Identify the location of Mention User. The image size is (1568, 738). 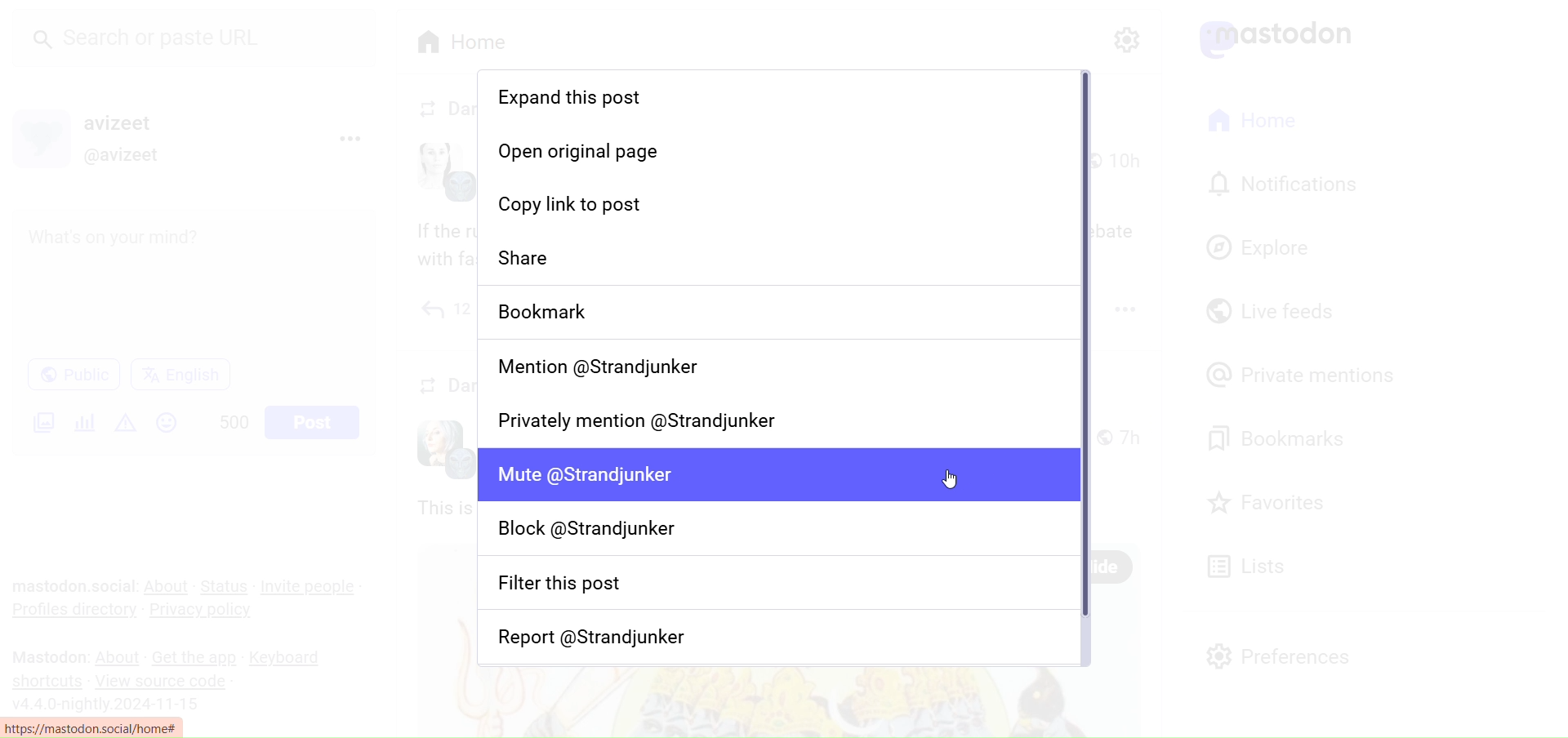
(779, 364).